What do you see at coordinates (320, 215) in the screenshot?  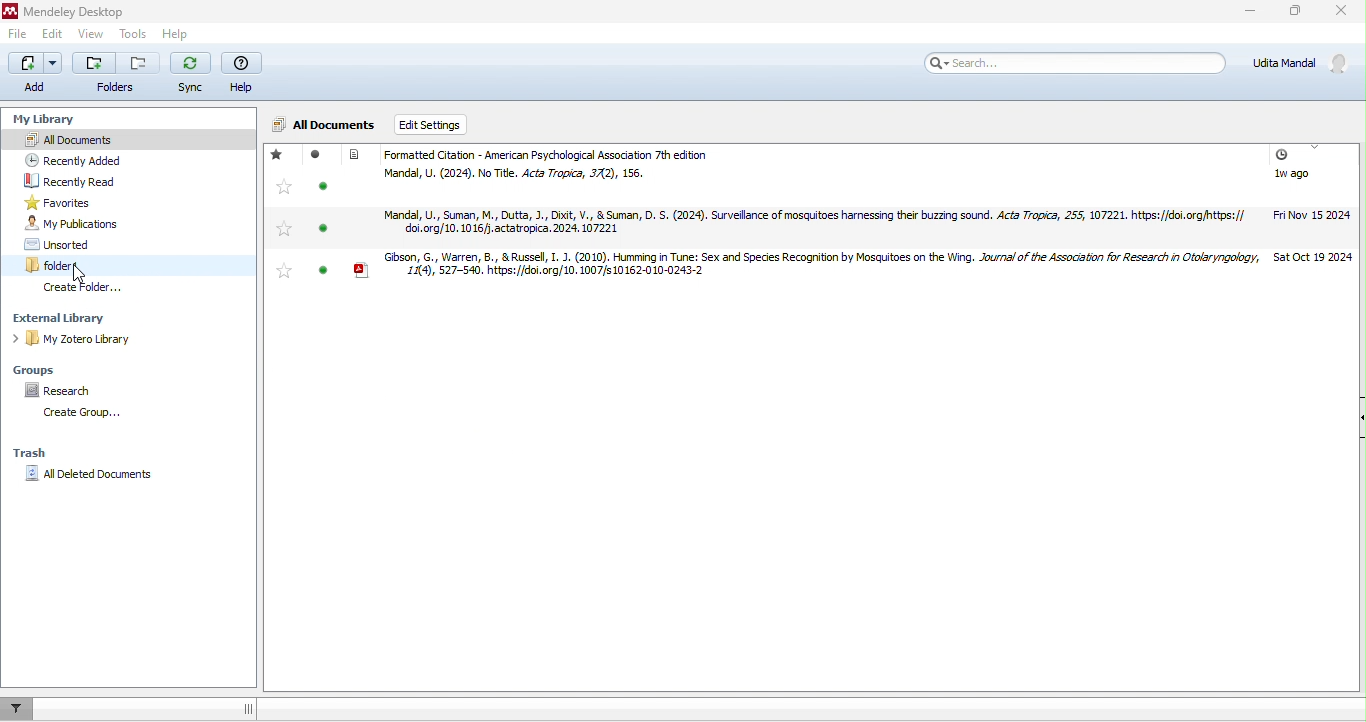 I see `read/ unread` at bounding box center [320, 215].